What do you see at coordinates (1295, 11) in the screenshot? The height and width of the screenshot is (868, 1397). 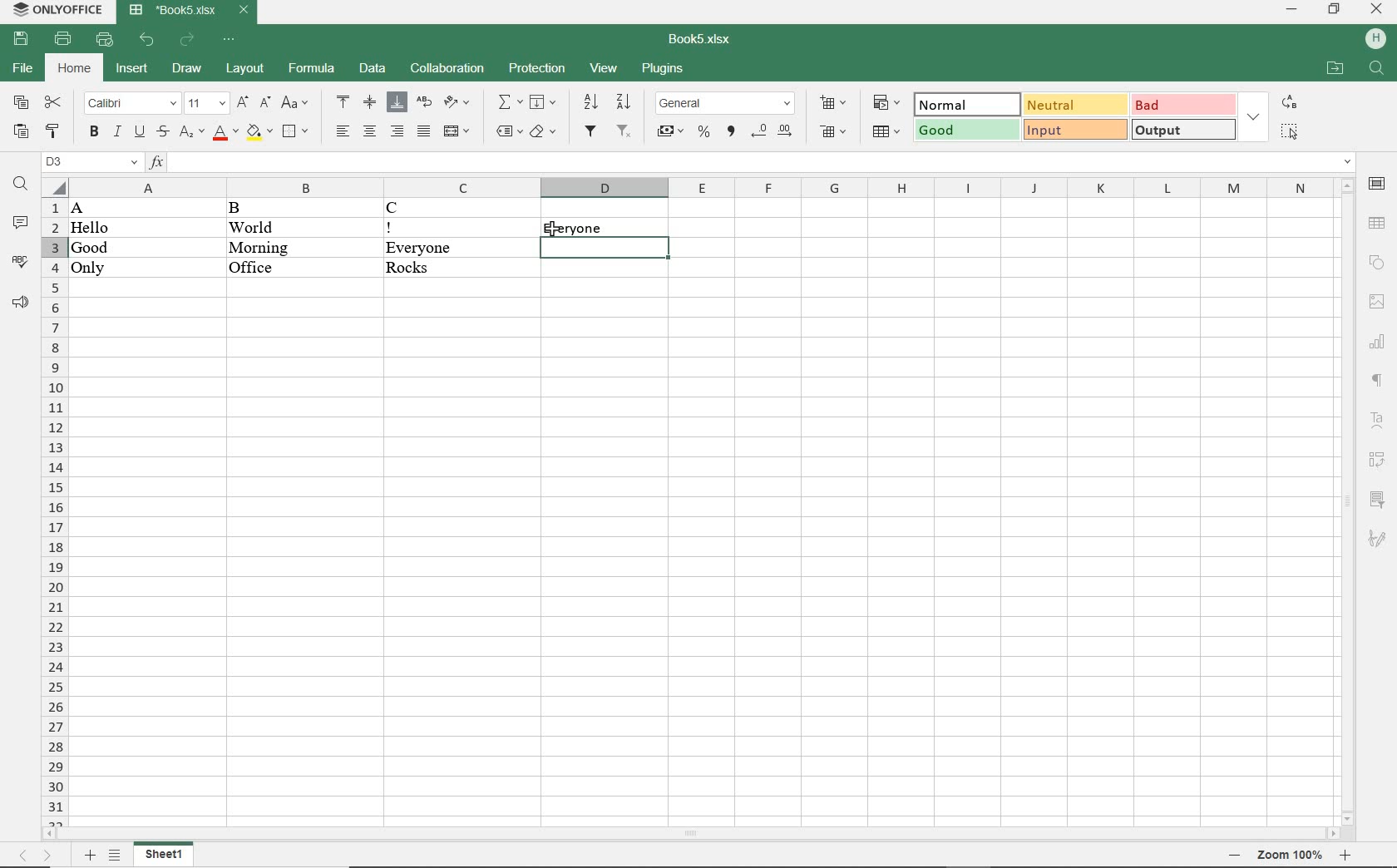 I see `minimize` at bounding box center [1295, 11].